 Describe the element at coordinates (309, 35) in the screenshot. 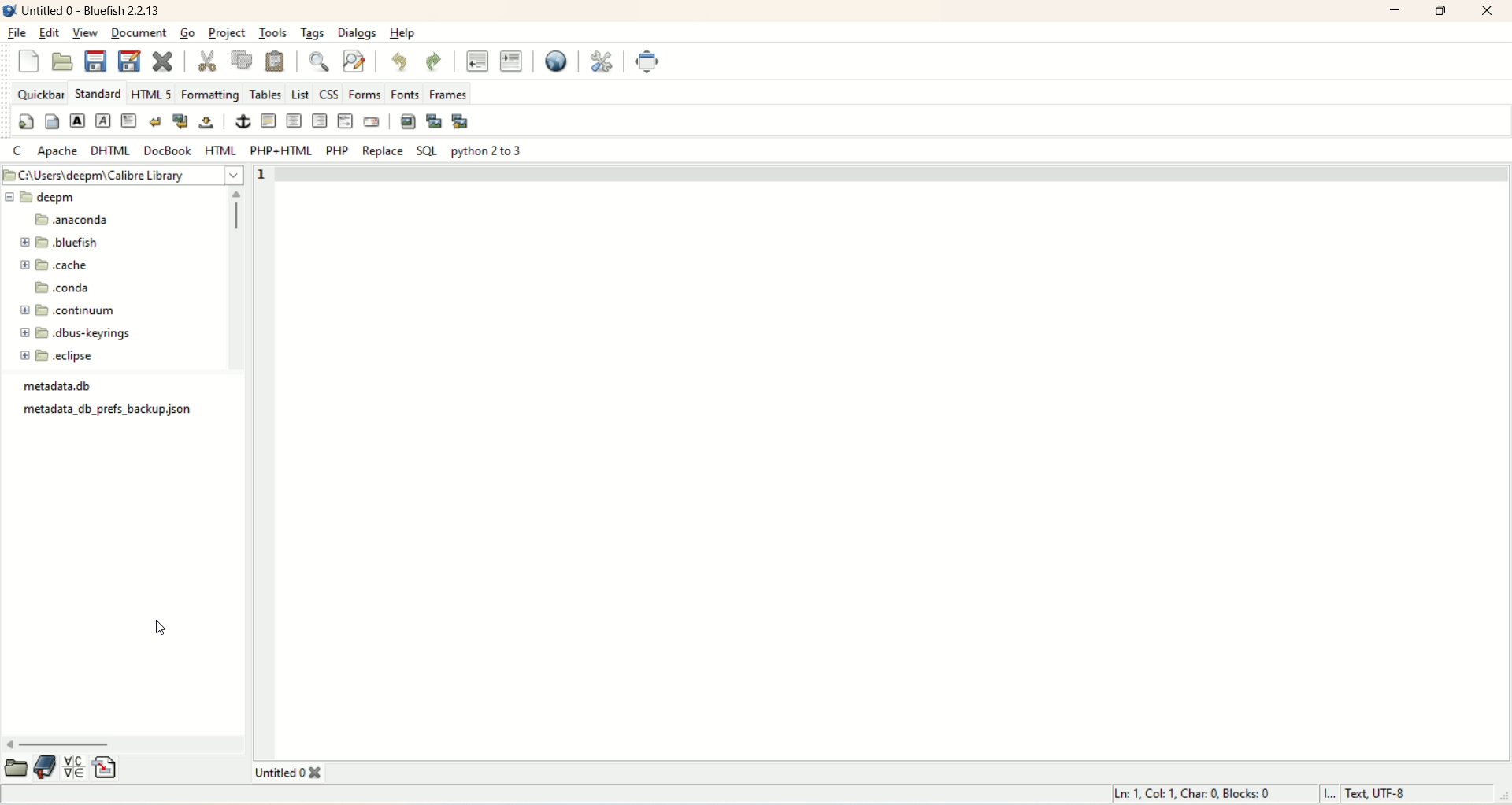

I see `tags` at that location.